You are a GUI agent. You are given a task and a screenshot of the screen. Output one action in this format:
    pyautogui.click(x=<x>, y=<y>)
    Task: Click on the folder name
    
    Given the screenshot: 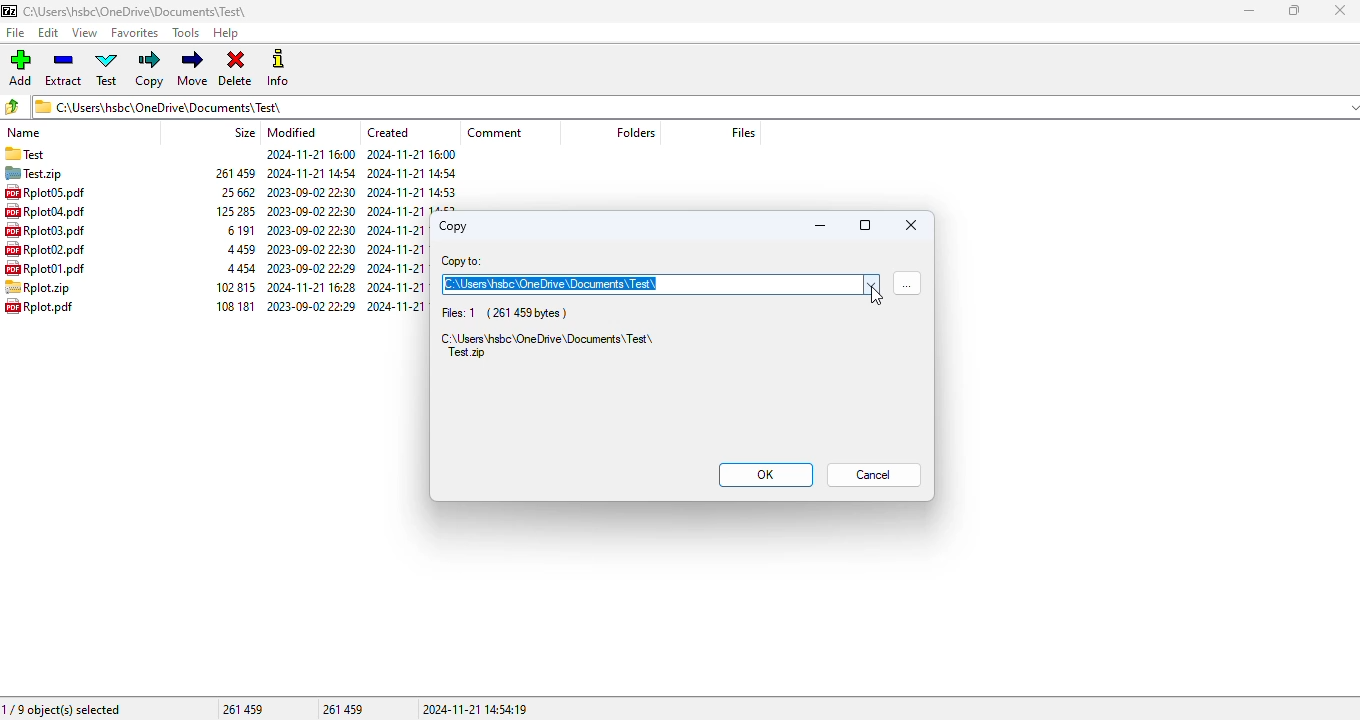 What is the action you would take?
    pyautogui.click(x=25, y=154)
    